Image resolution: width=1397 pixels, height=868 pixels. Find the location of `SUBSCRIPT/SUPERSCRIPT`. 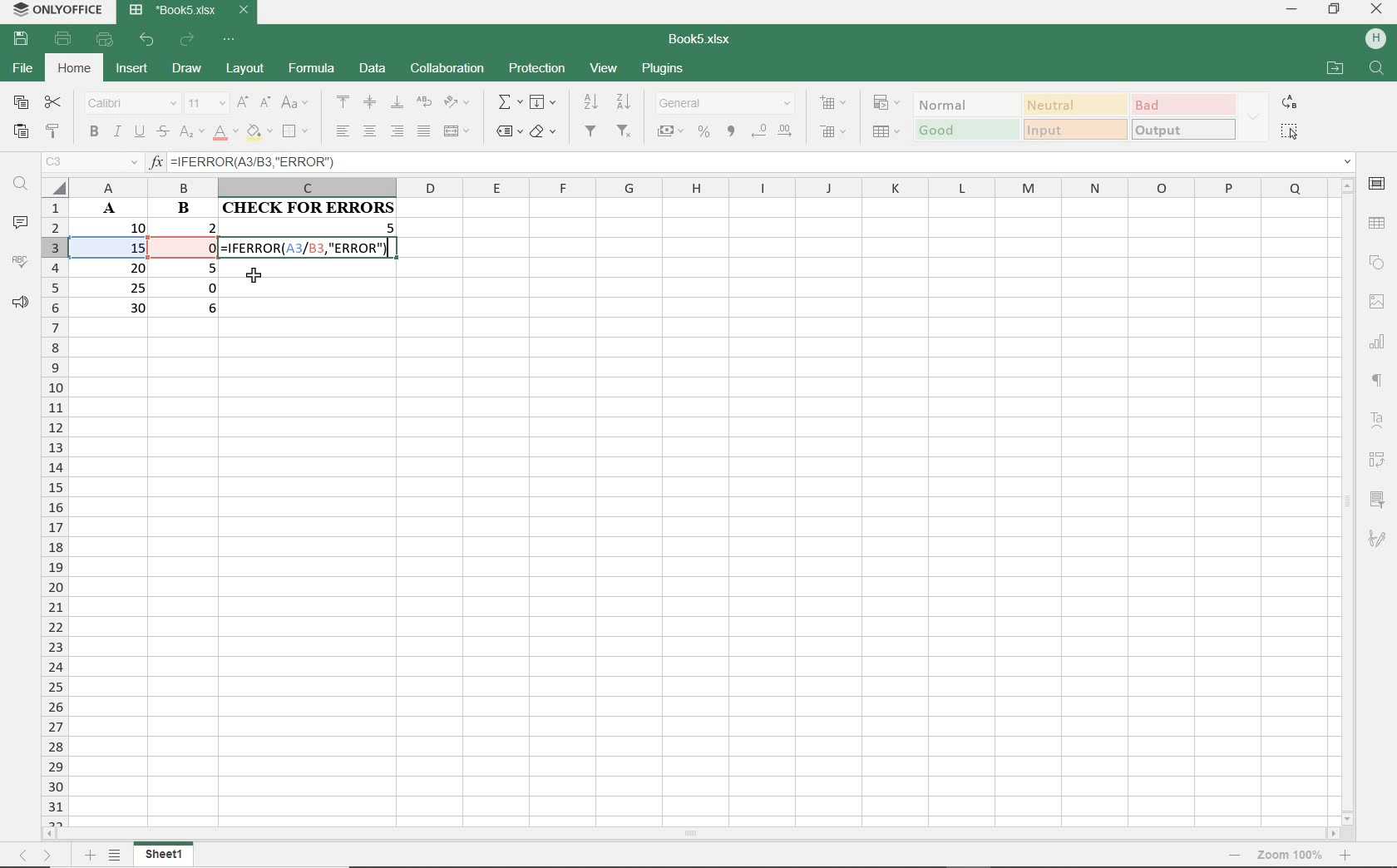

SUBSCRIPT/SUPERSCRIPT is located at coordinates (189, 135).